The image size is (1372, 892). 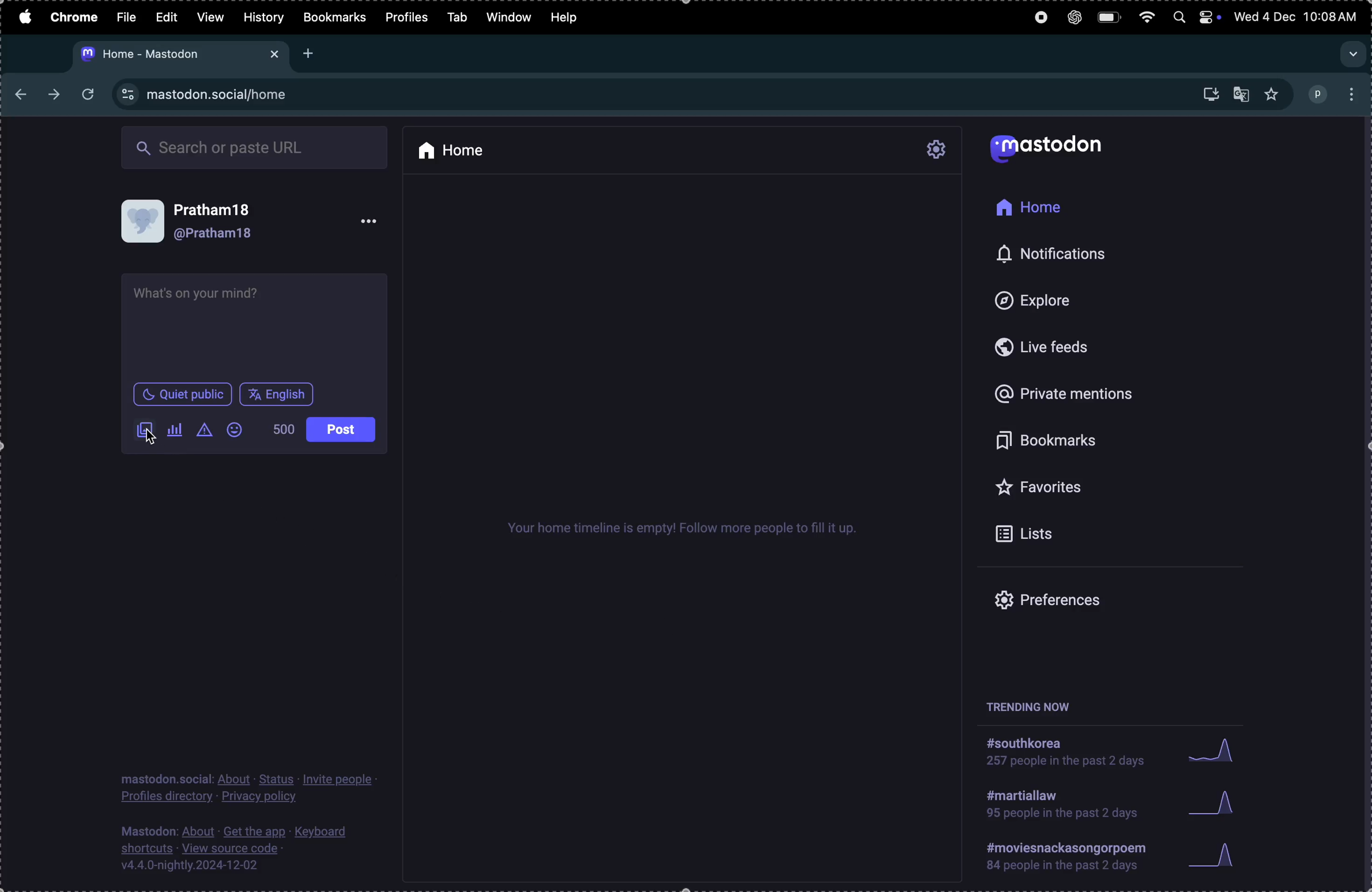 I want to click on #moviessancforpoem, so click(x=1063, y=860).